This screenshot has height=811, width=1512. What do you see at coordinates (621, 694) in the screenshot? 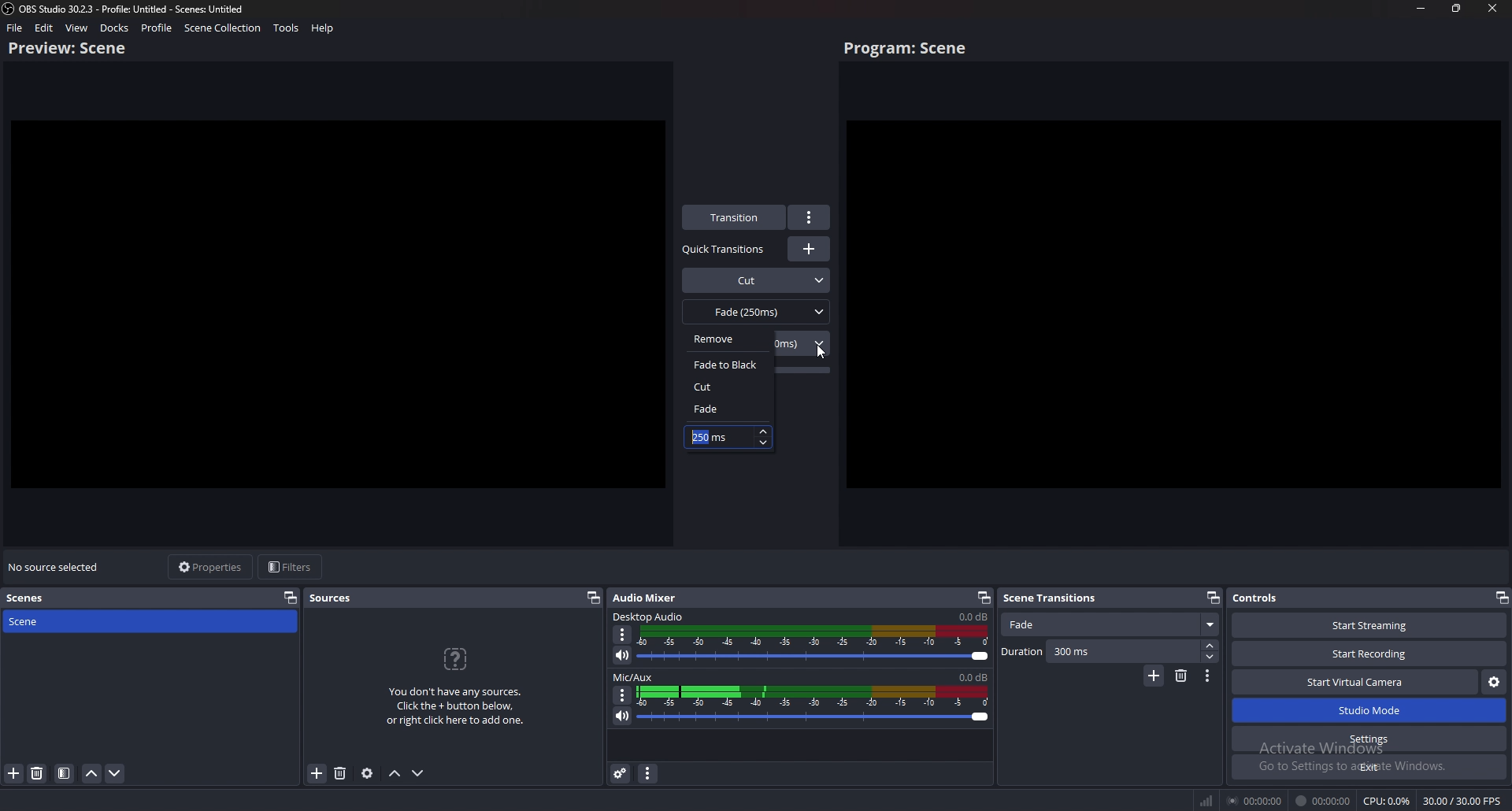
I see `Options` at bounding box center [621, 694].